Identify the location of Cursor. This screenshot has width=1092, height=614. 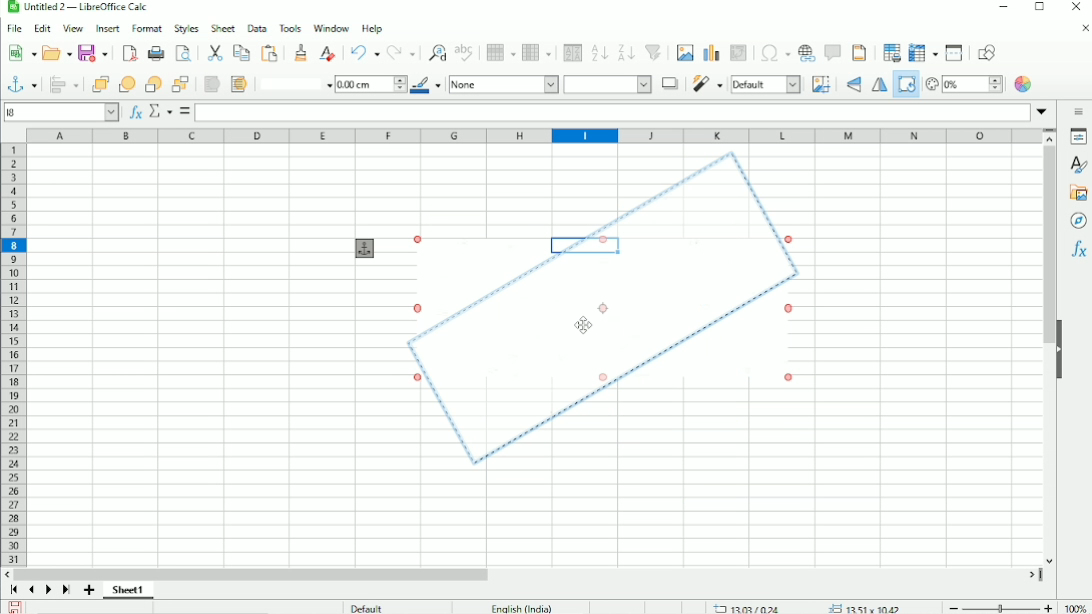
(584, 324).